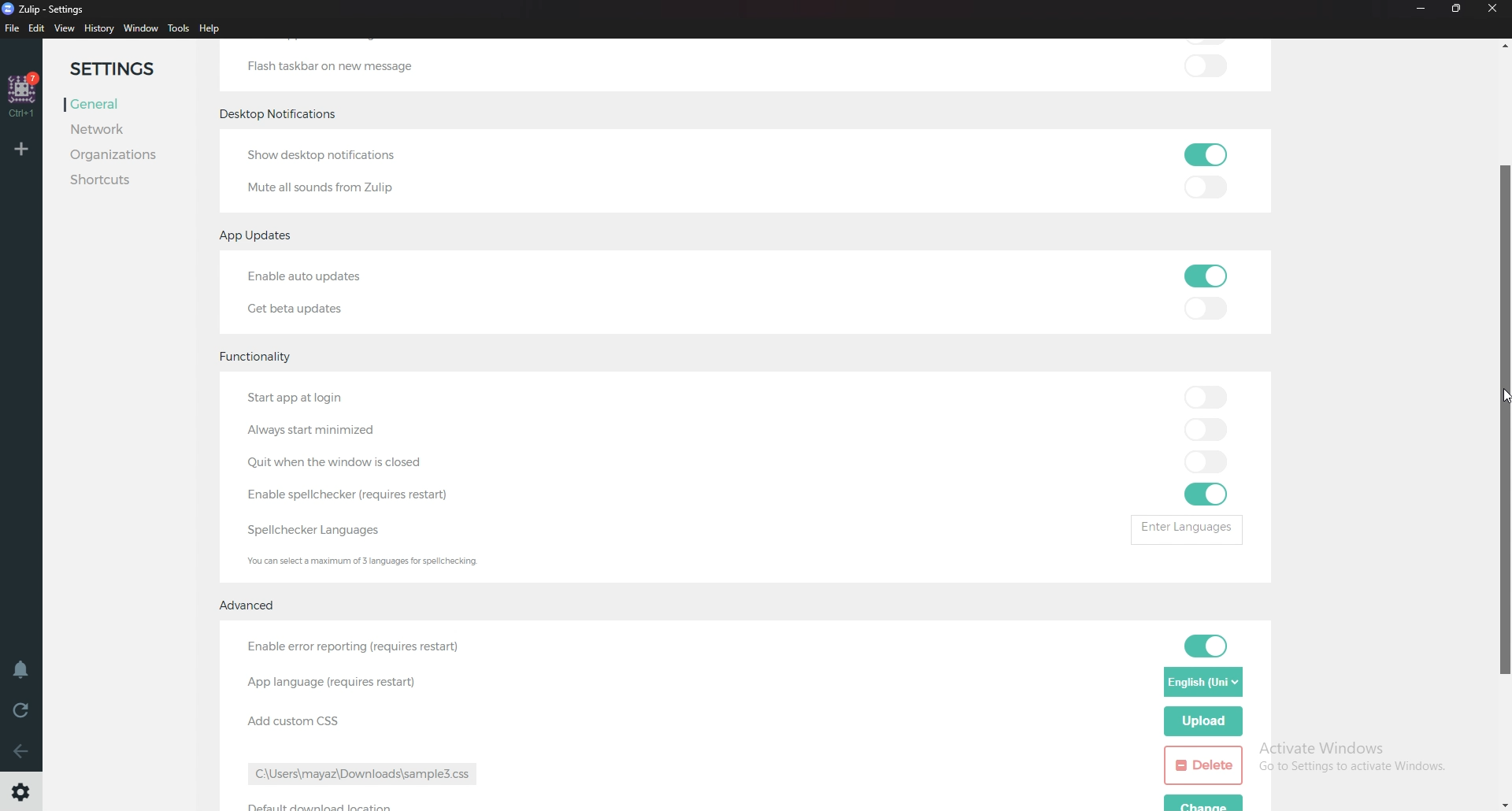 Image resolution: width=1512 pixels, height=811 pixels. Describe the element at coordinates (354, 493) in the screenshot. I see `Enable Spell Checker` at that location.